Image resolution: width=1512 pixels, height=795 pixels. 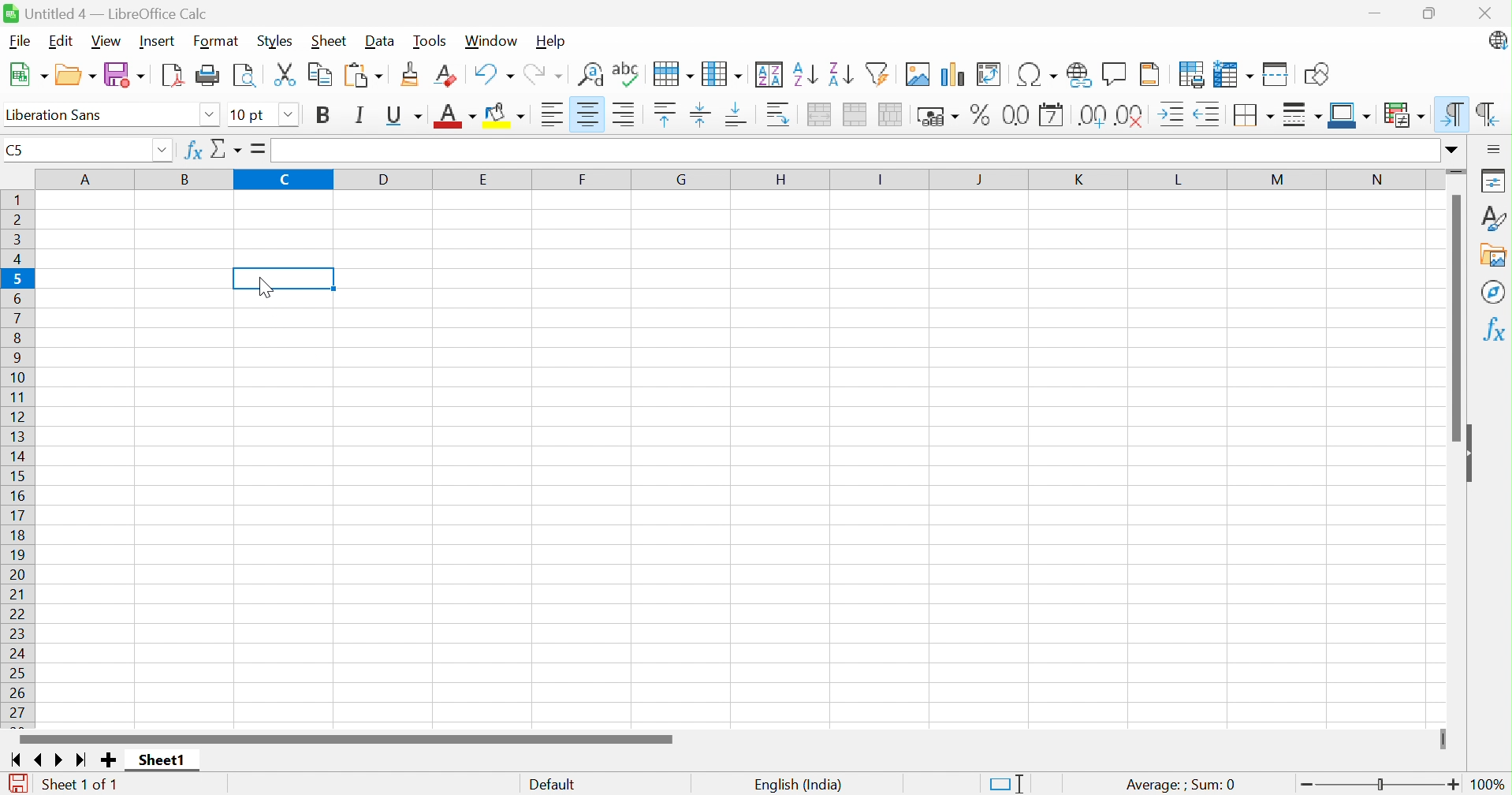 What do you see at coordinates (29, 73) in the screenshot?
I see `New` at bounding box center [29, 73].